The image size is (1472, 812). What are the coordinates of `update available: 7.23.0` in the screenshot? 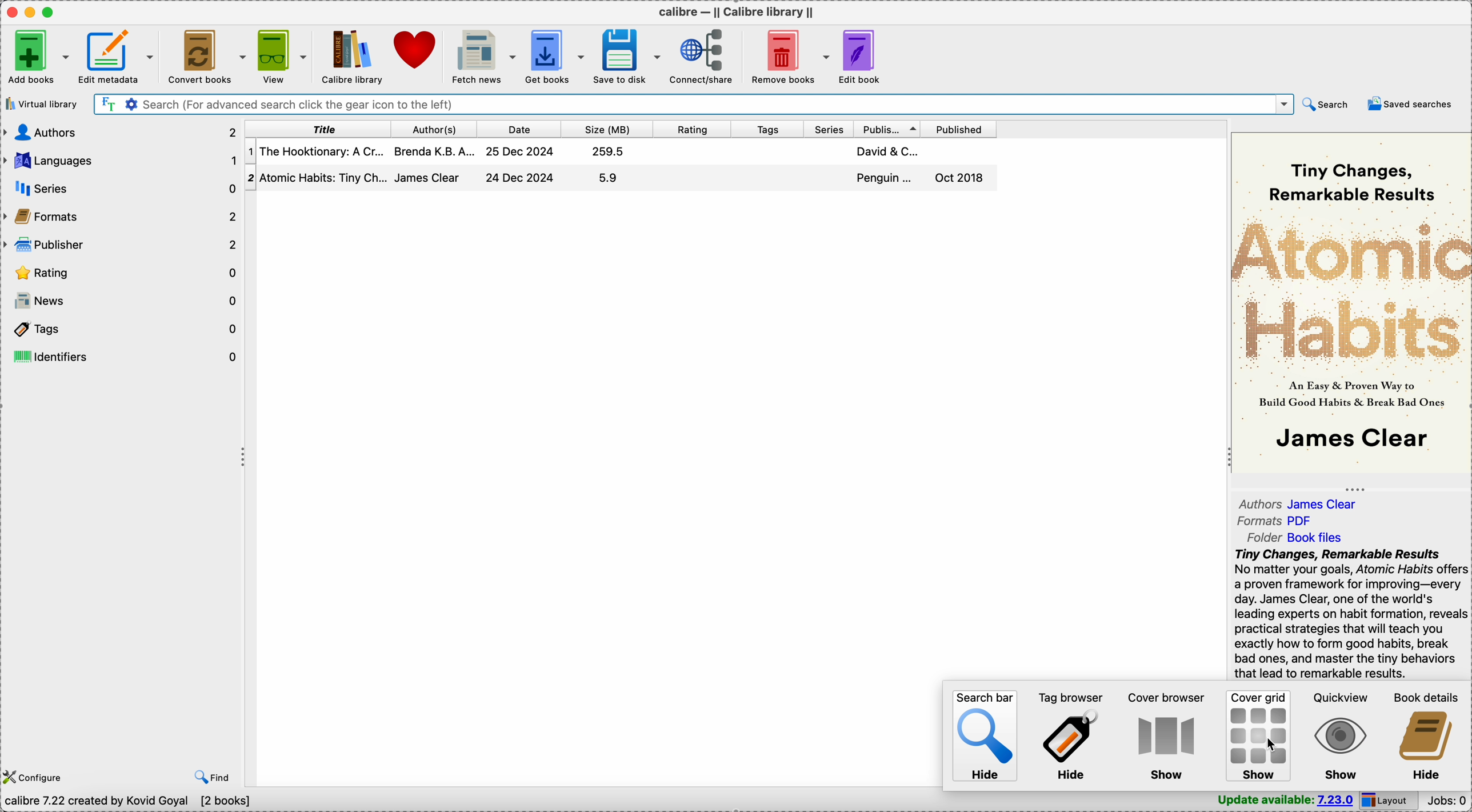 It's located at (1283, 801).